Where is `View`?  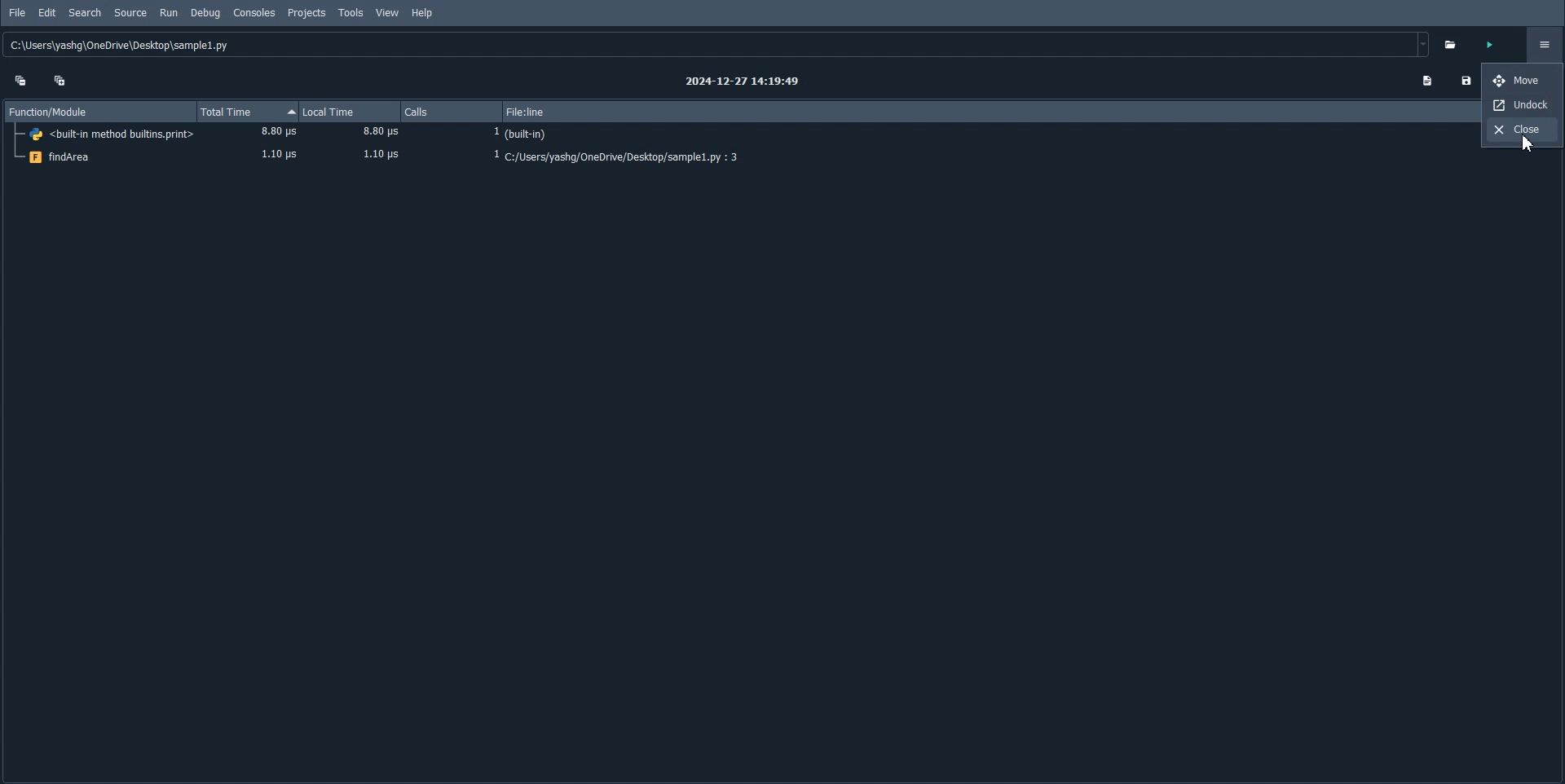
View is located at coordinates (388, 13).